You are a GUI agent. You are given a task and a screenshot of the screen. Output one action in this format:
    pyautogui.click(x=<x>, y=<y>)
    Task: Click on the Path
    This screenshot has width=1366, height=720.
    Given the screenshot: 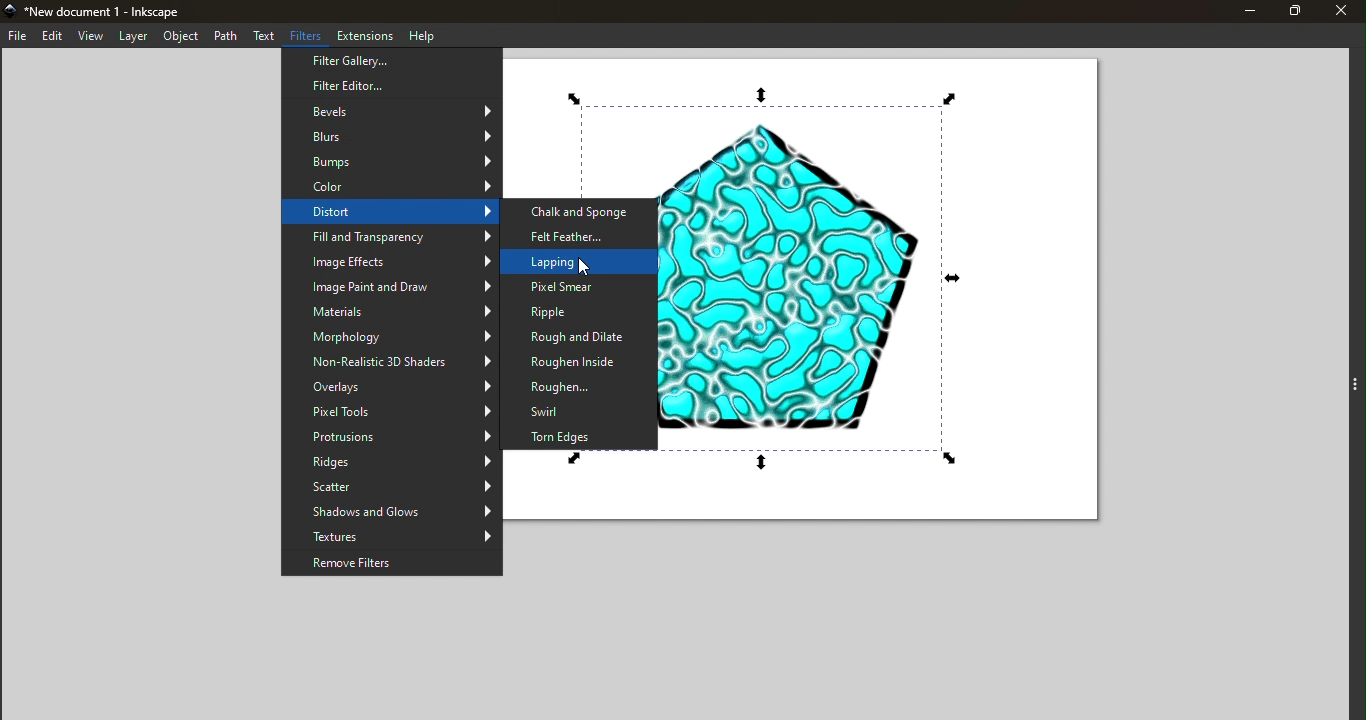 What is the action you would take?
    pyautogui.click(x=225, y=35)
    